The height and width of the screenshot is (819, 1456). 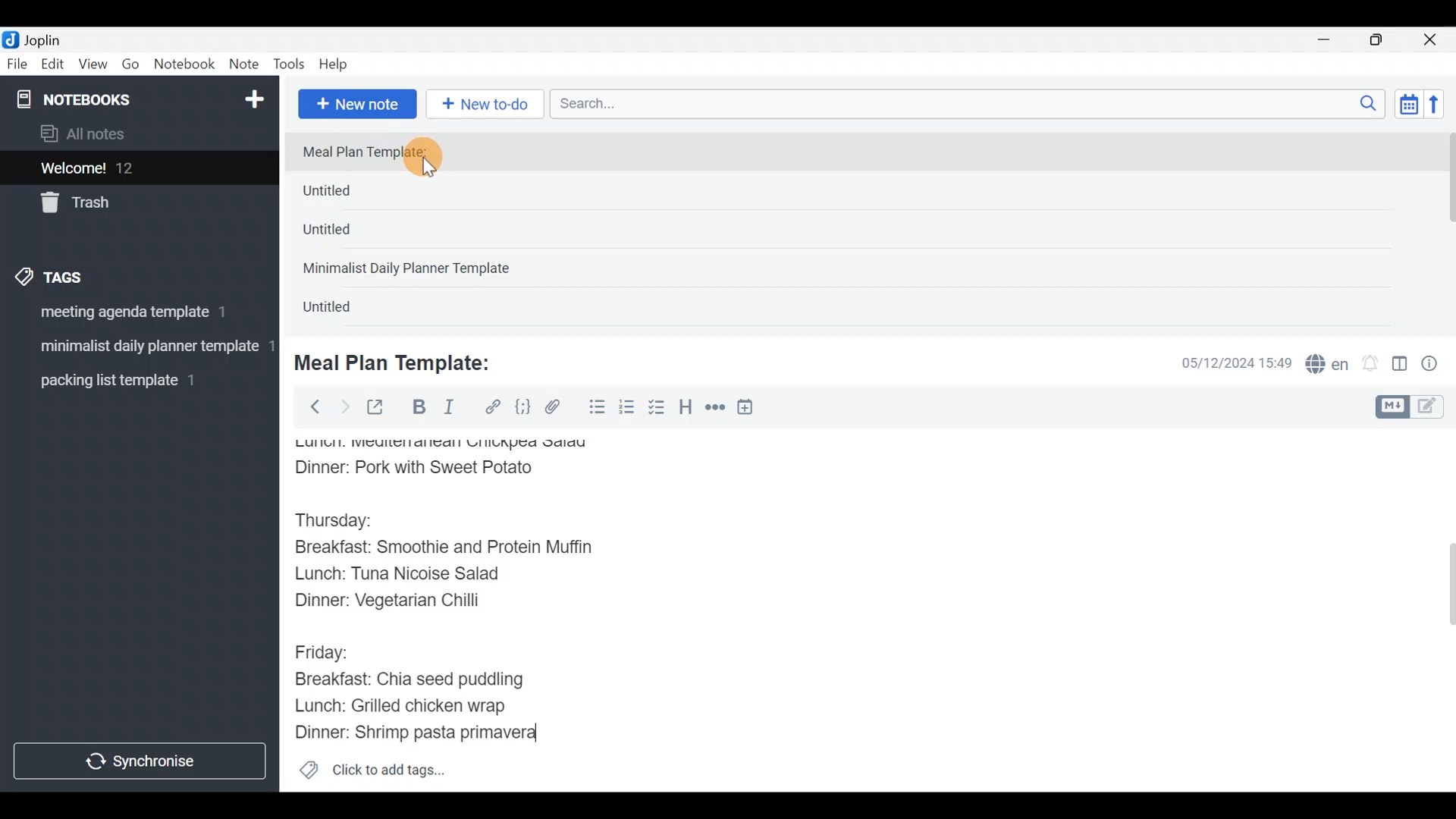 What do you see at coordinates (401, 604) in the screenshot?
I see `Dinner: Vegetarian Chilli` at bounding box center [401, 604].